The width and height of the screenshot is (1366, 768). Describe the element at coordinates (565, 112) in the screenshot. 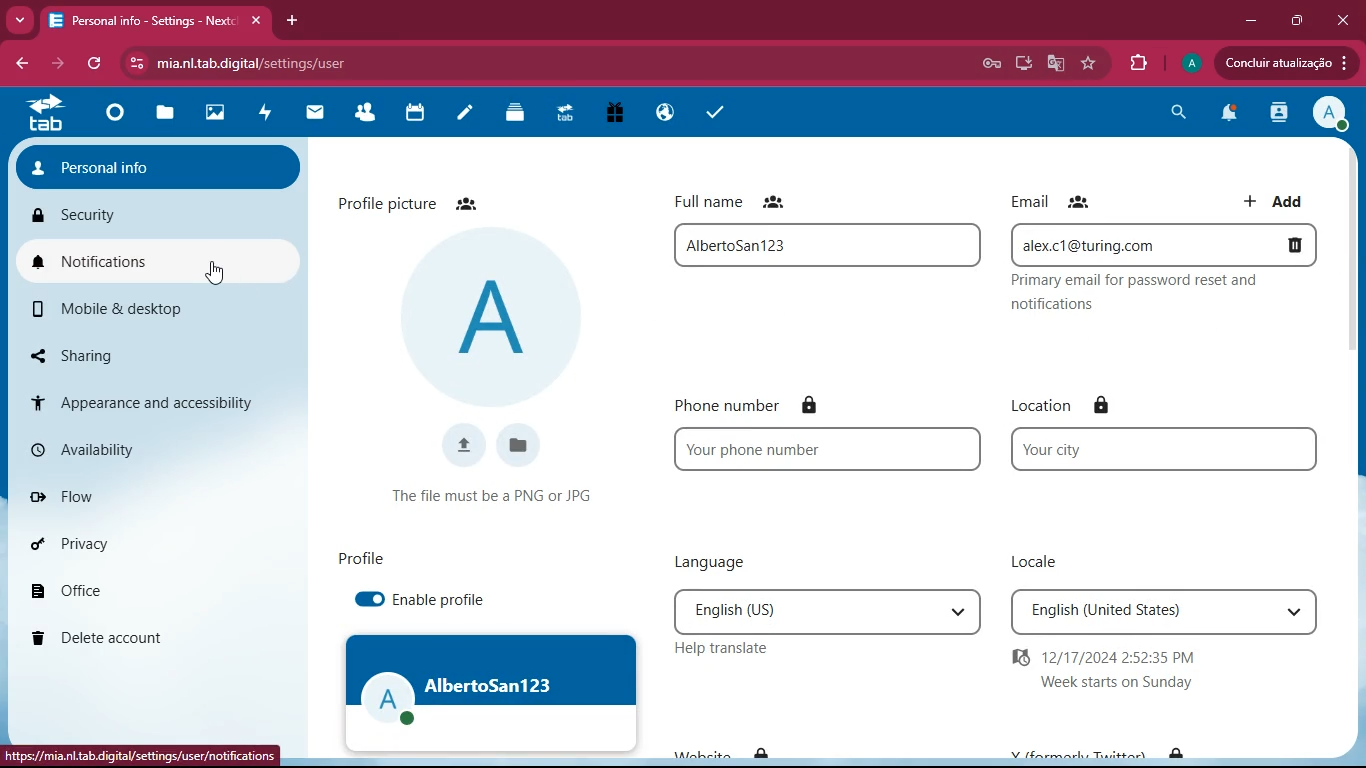

I see `tab` at that location.